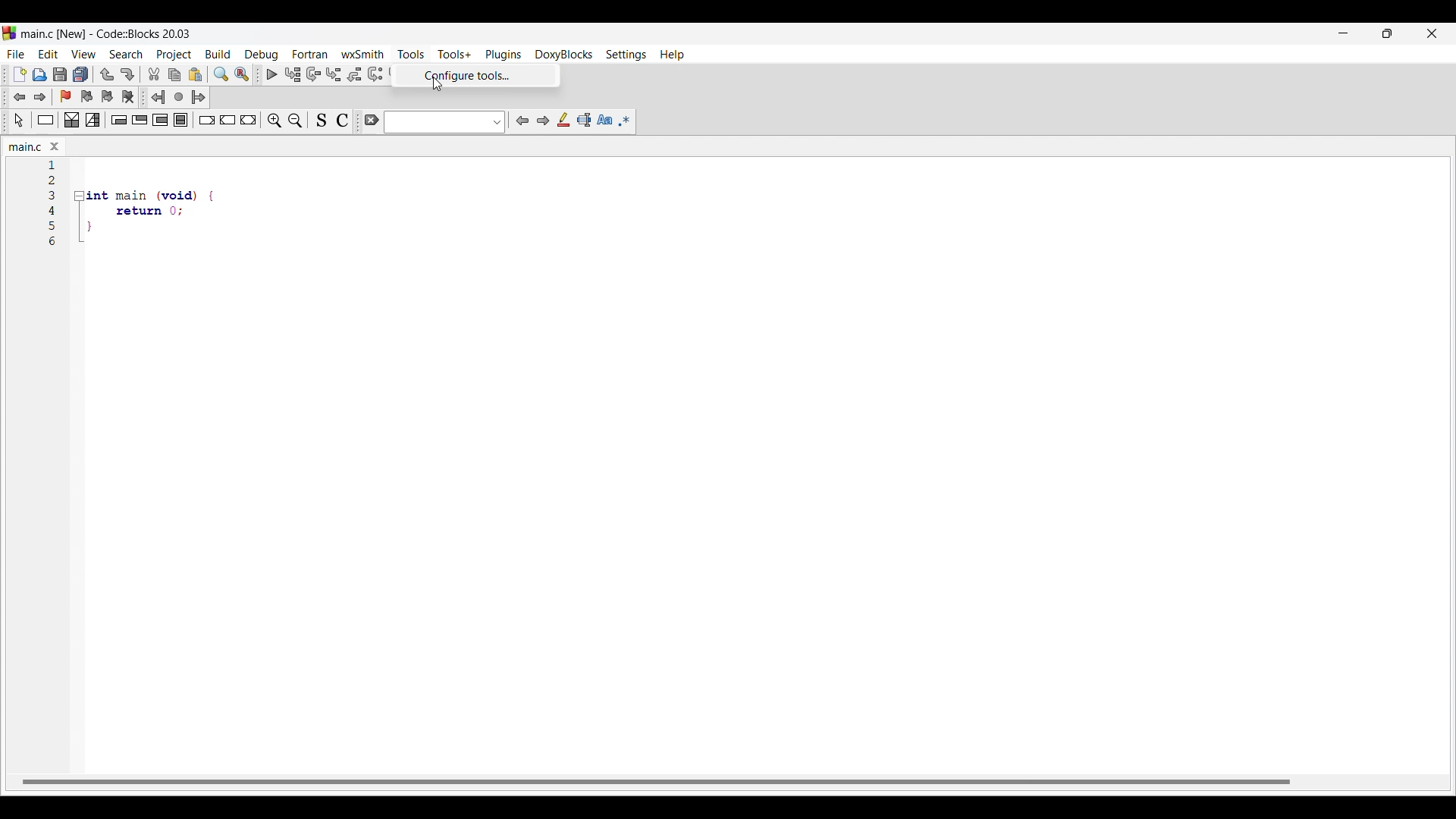 This screenshot has height=819, width=1456. Describe the element at coordinates (119, 120) in the screenshot. I see `Entry condition` at that location.